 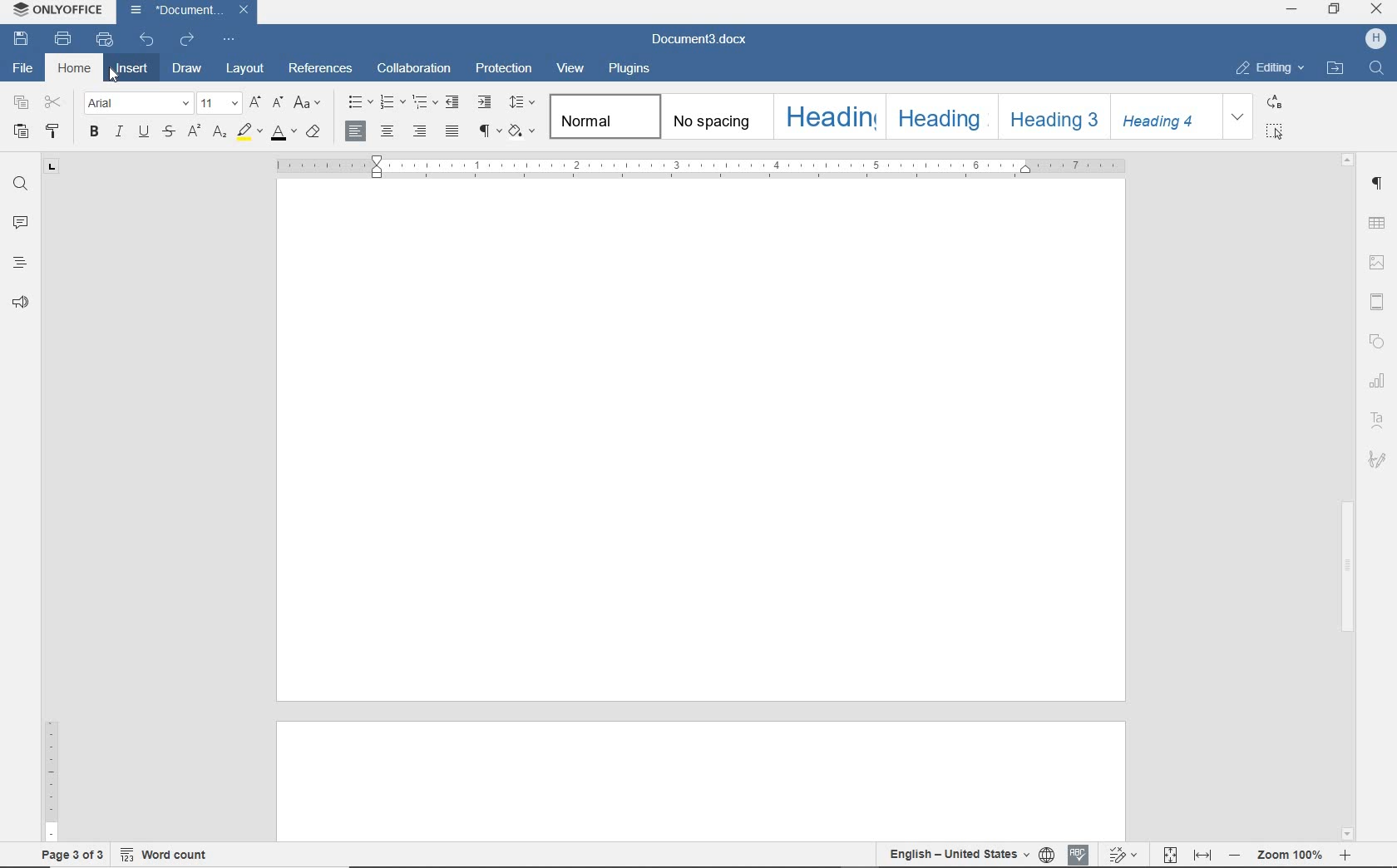 I want to click on HEADING 1, so click(x=827, y=118).